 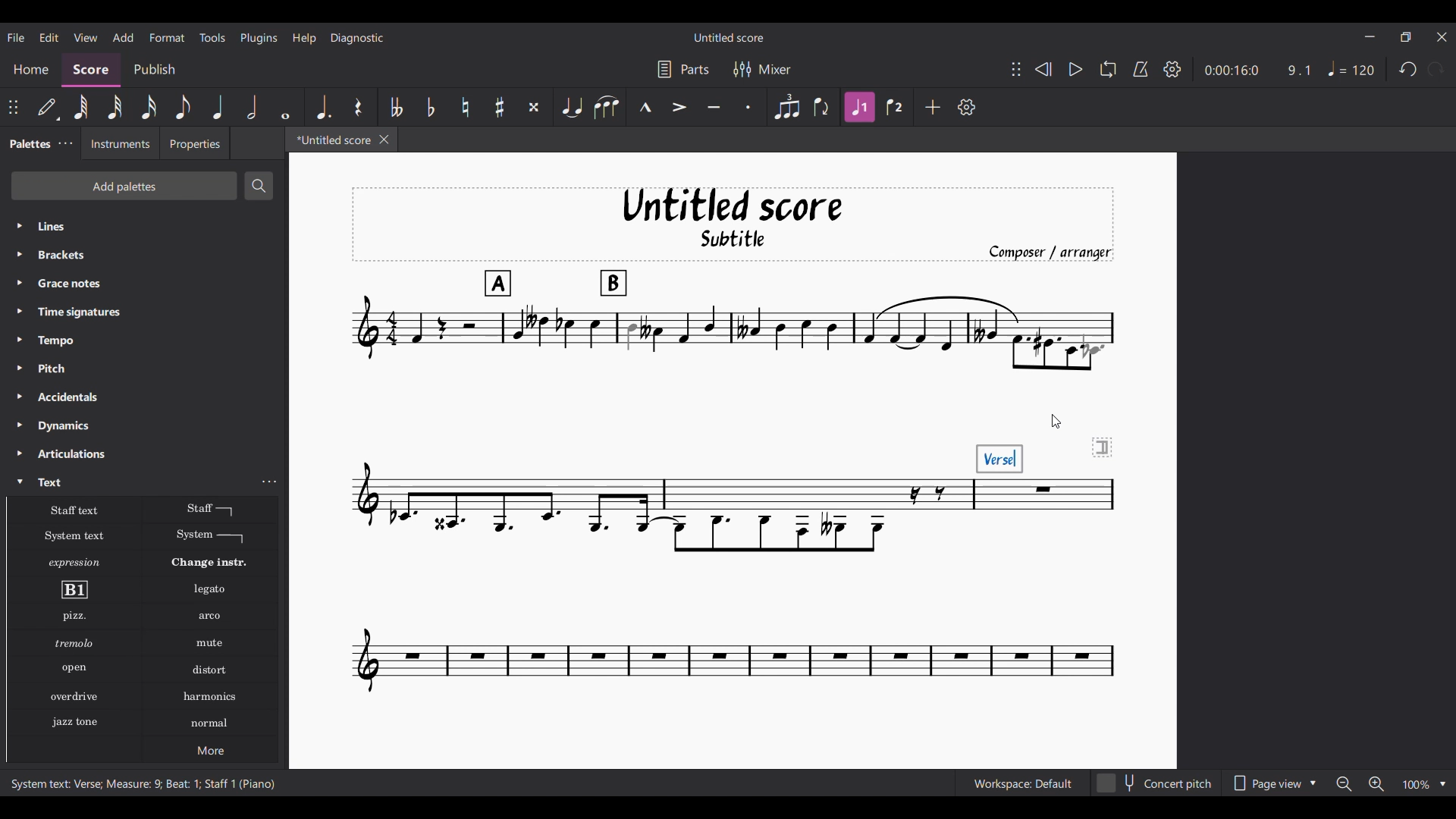 I want to click on Change instr., so click(x=209, y=563).